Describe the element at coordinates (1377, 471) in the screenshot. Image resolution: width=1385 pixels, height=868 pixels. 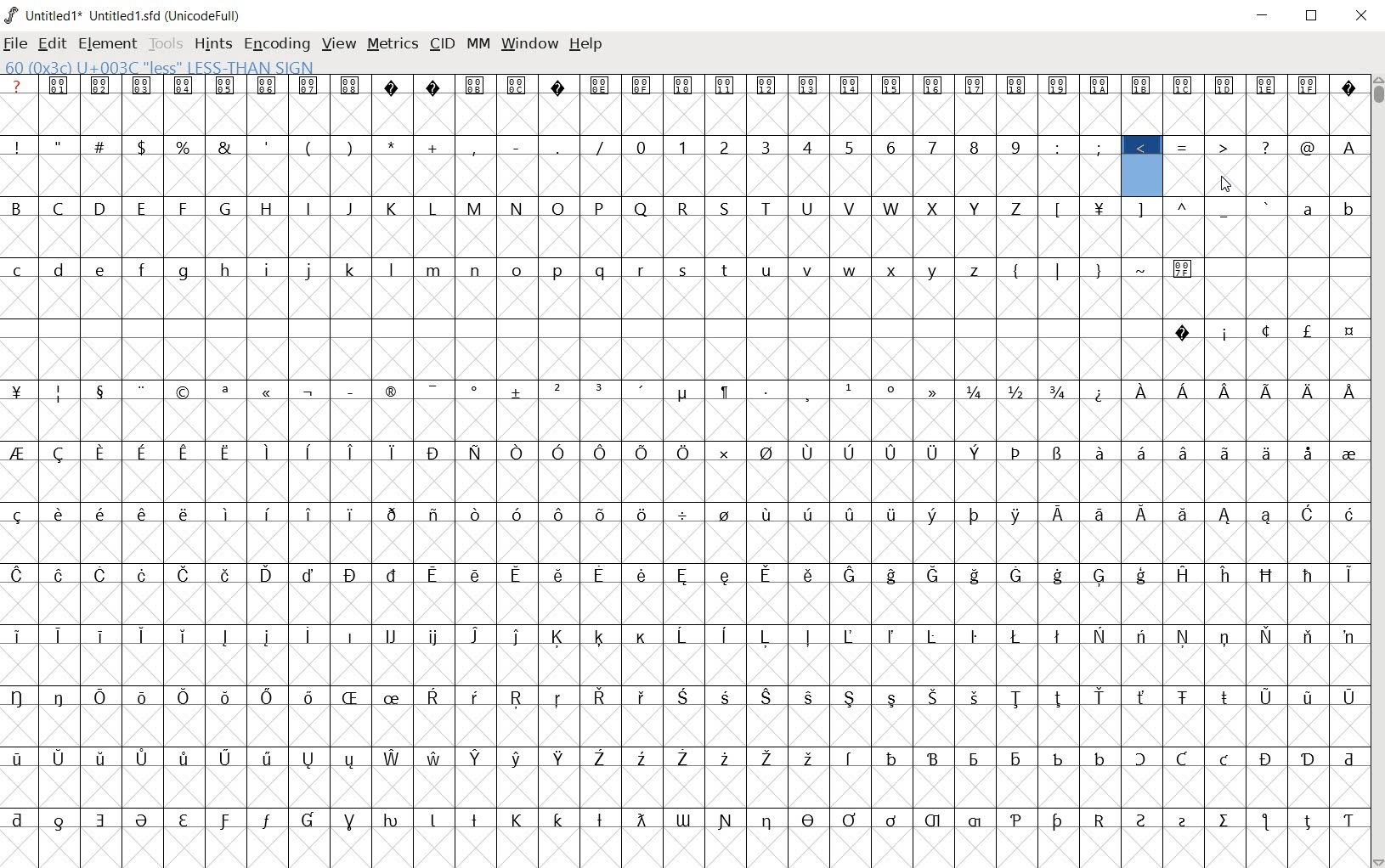
I see `scrollbar` at that location.